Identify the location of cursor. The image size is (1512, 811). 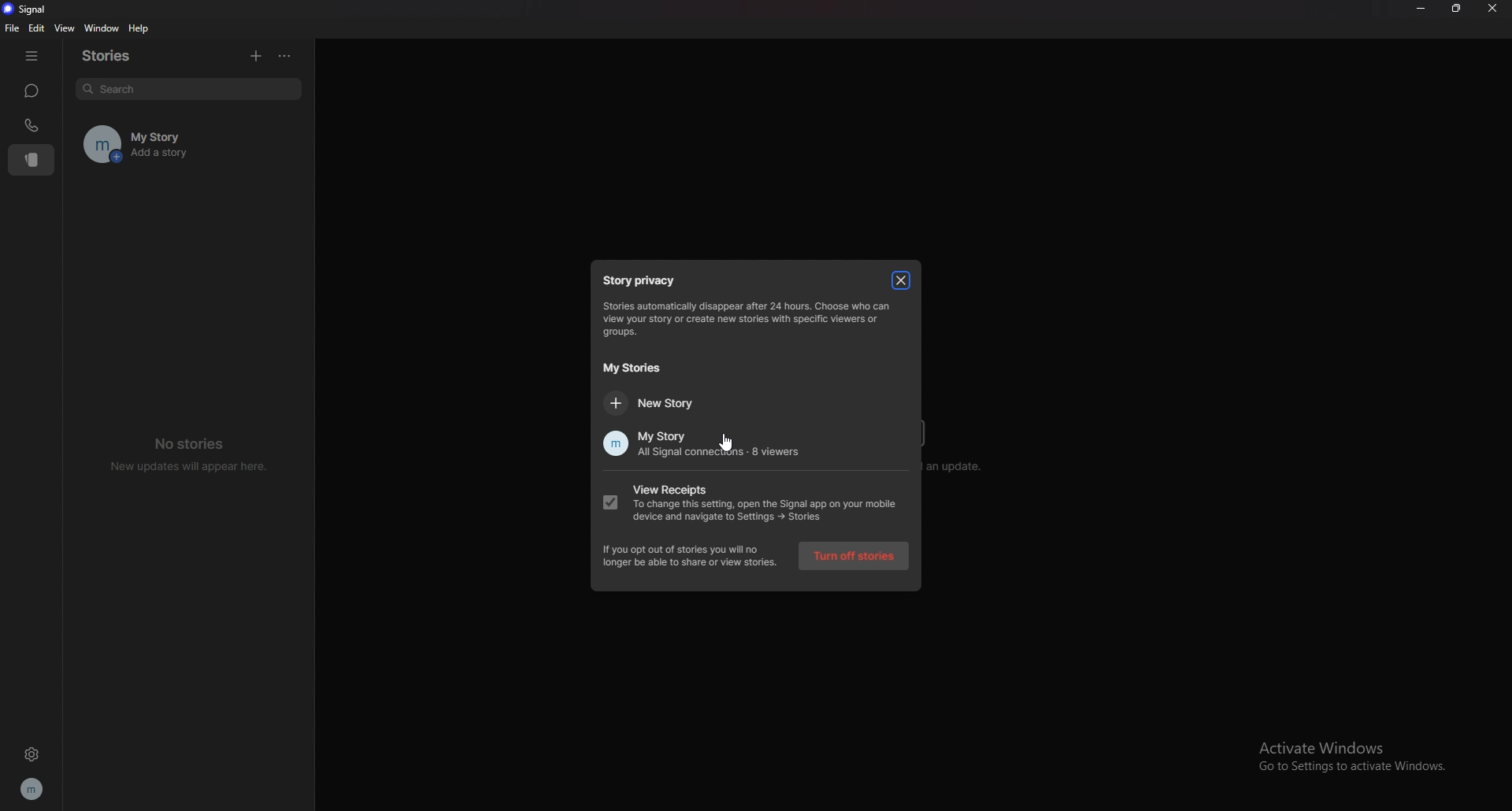
(728, 443).